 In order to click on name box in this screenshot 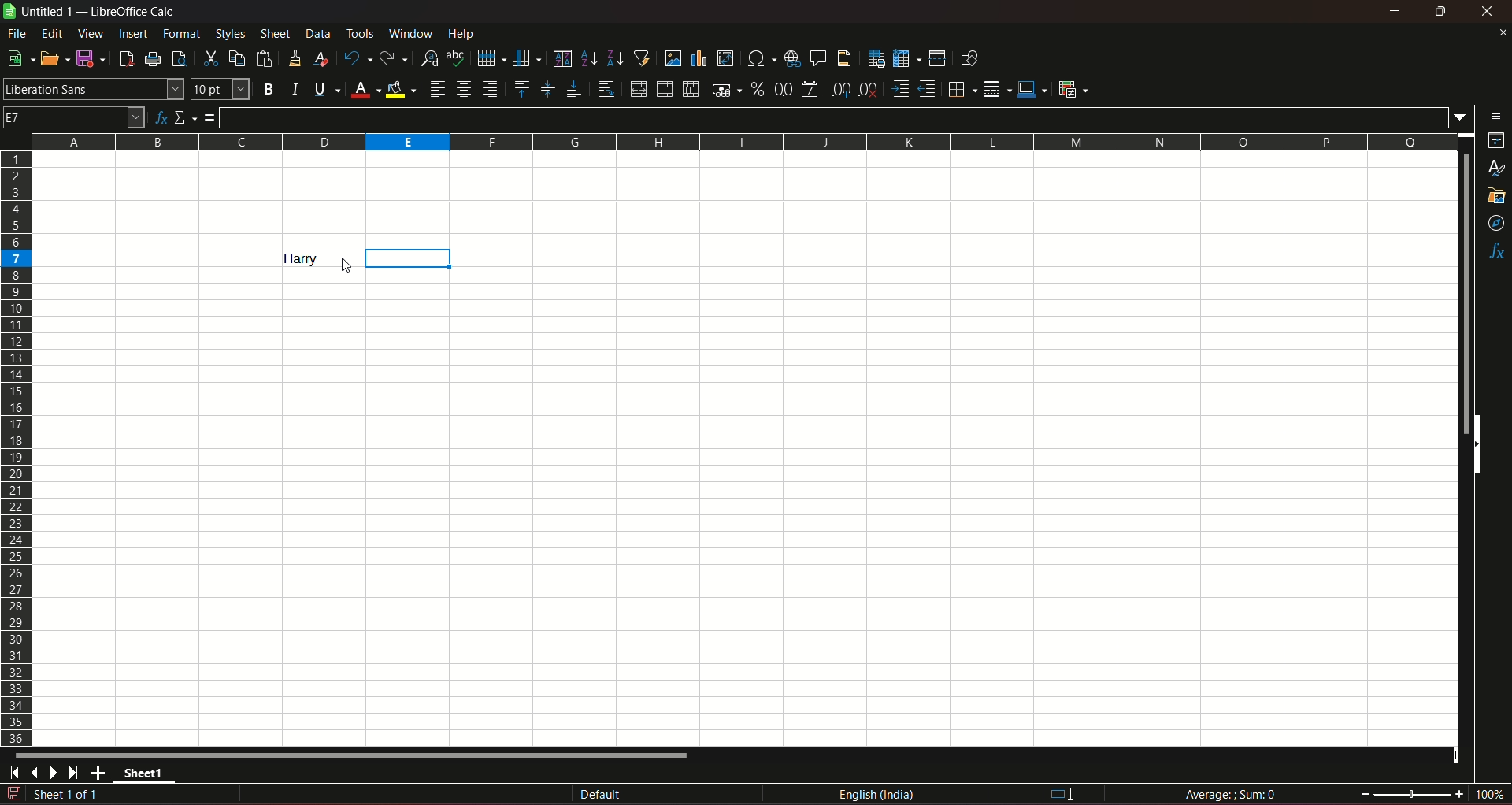, I will do `click(74, 116)`.